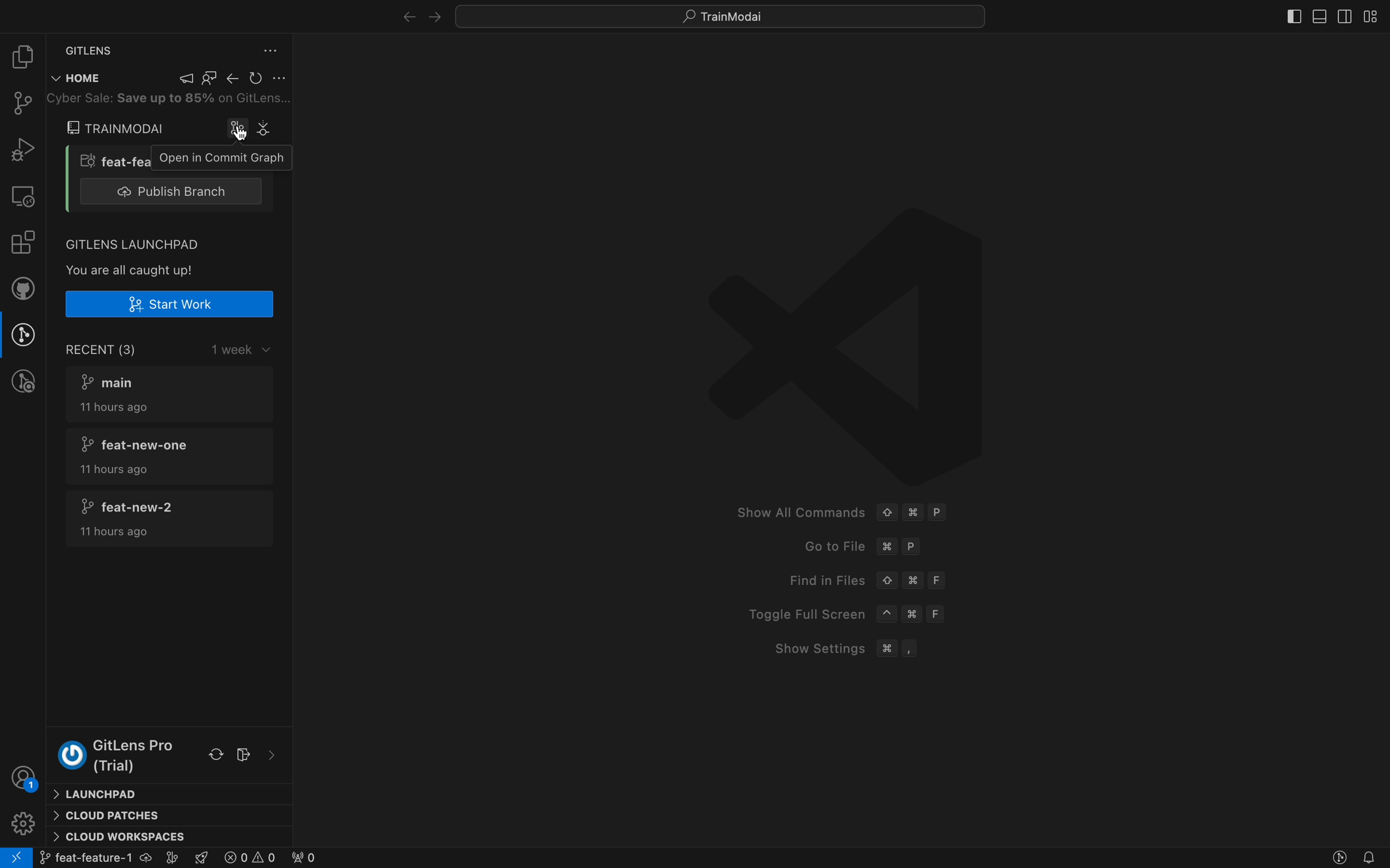 The height and width of the screenshot is (868, 1390). Describe the element at coordinates (1346, 15) in the screenshot. I see `toggle secondary bar` at that location.